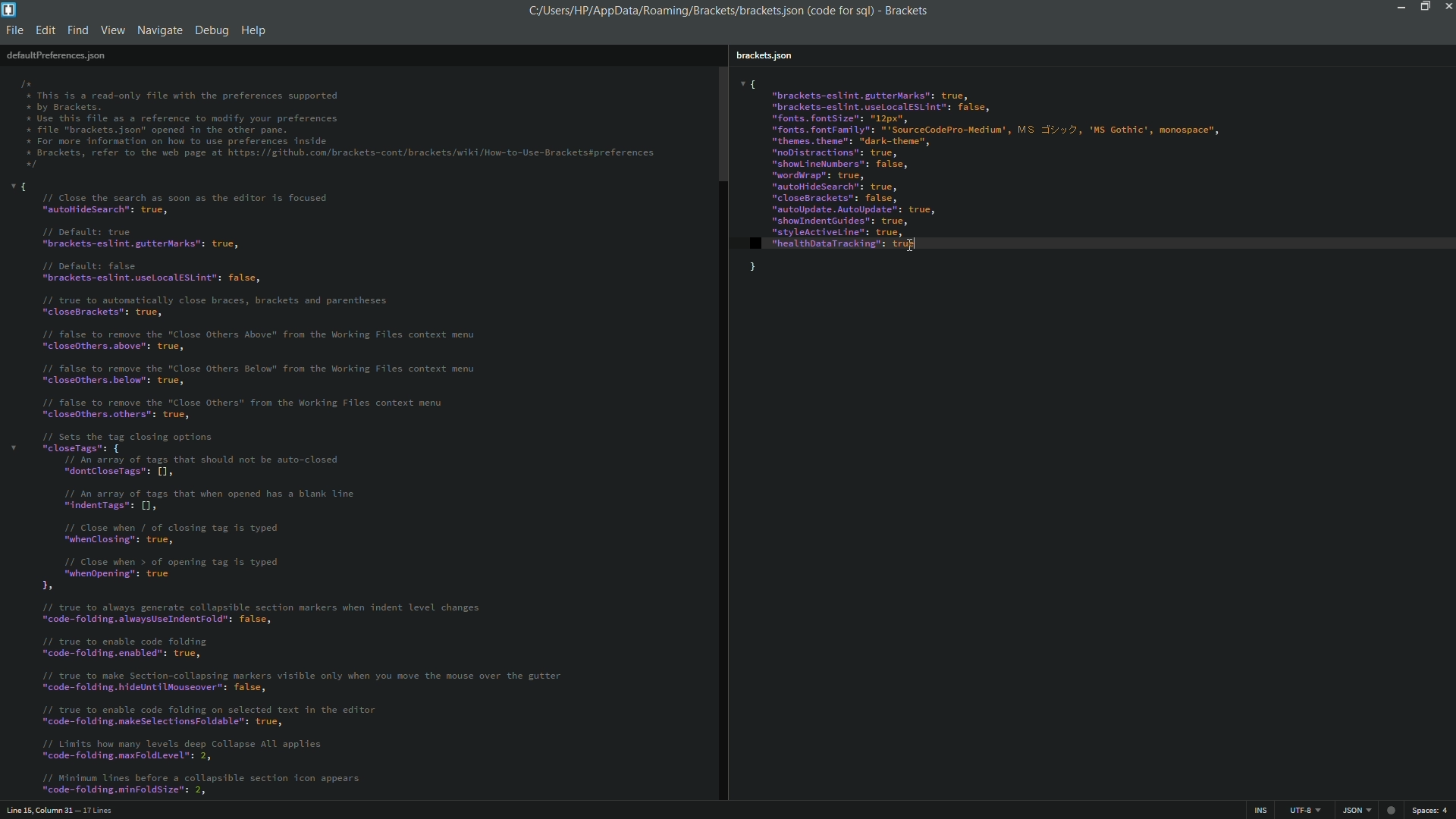  I want to click on Number of lines, so click(101, 810).